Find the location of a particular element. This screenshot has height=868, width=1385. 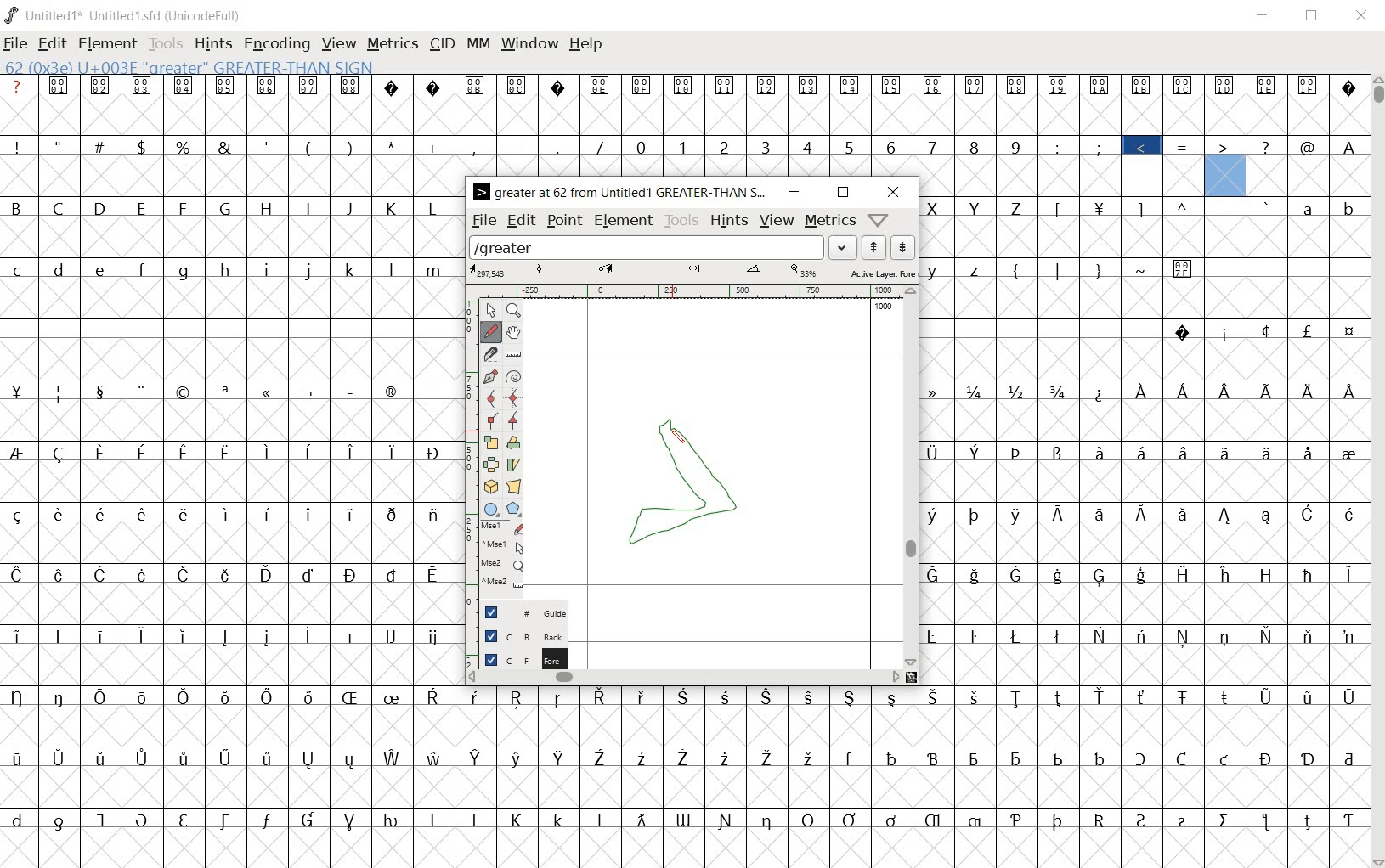

ruler is located at coordinates (687, 290).